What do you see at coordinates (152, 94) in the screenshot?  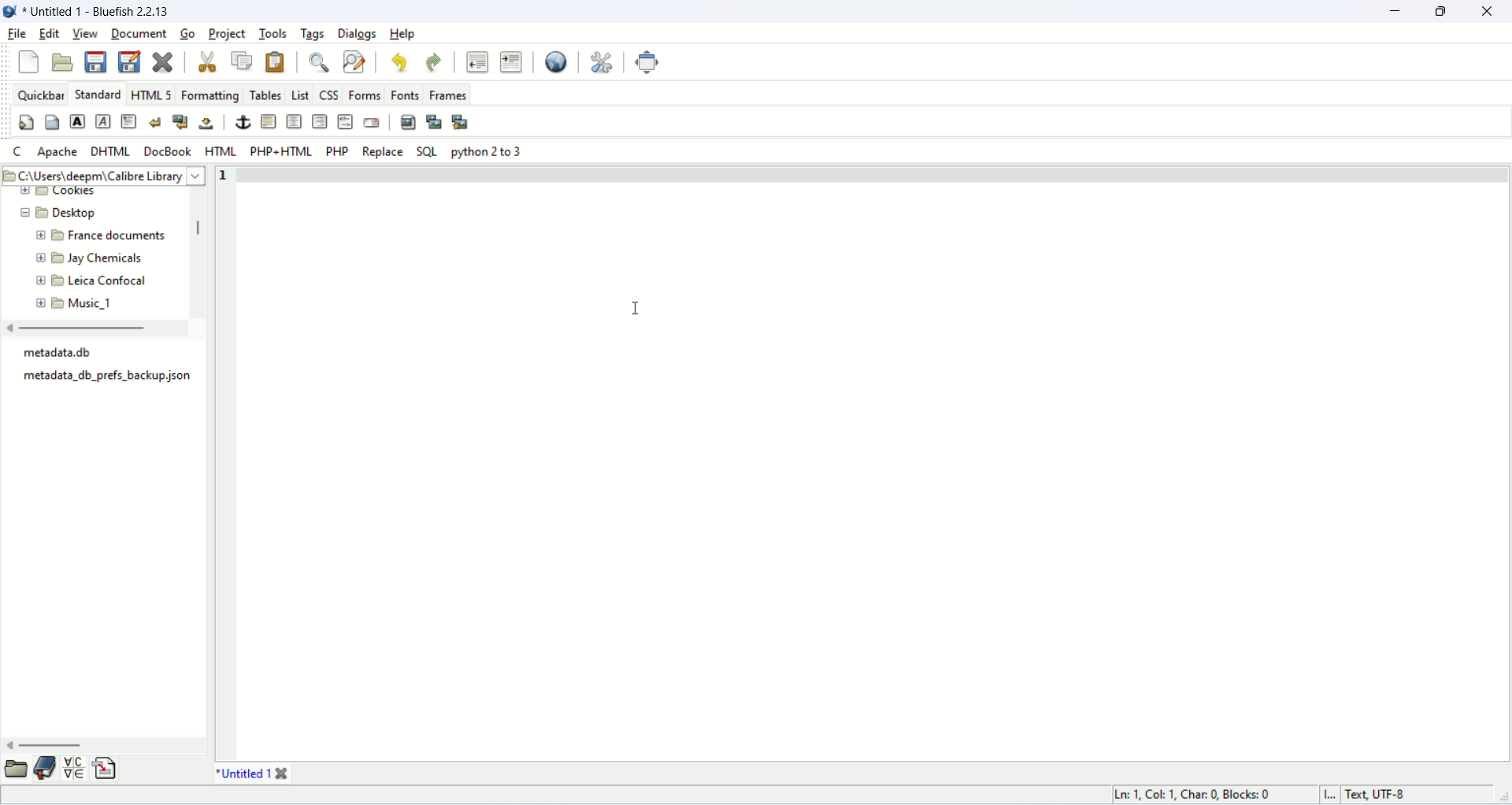 I see `HTML5` at bounding box center [152, 94].